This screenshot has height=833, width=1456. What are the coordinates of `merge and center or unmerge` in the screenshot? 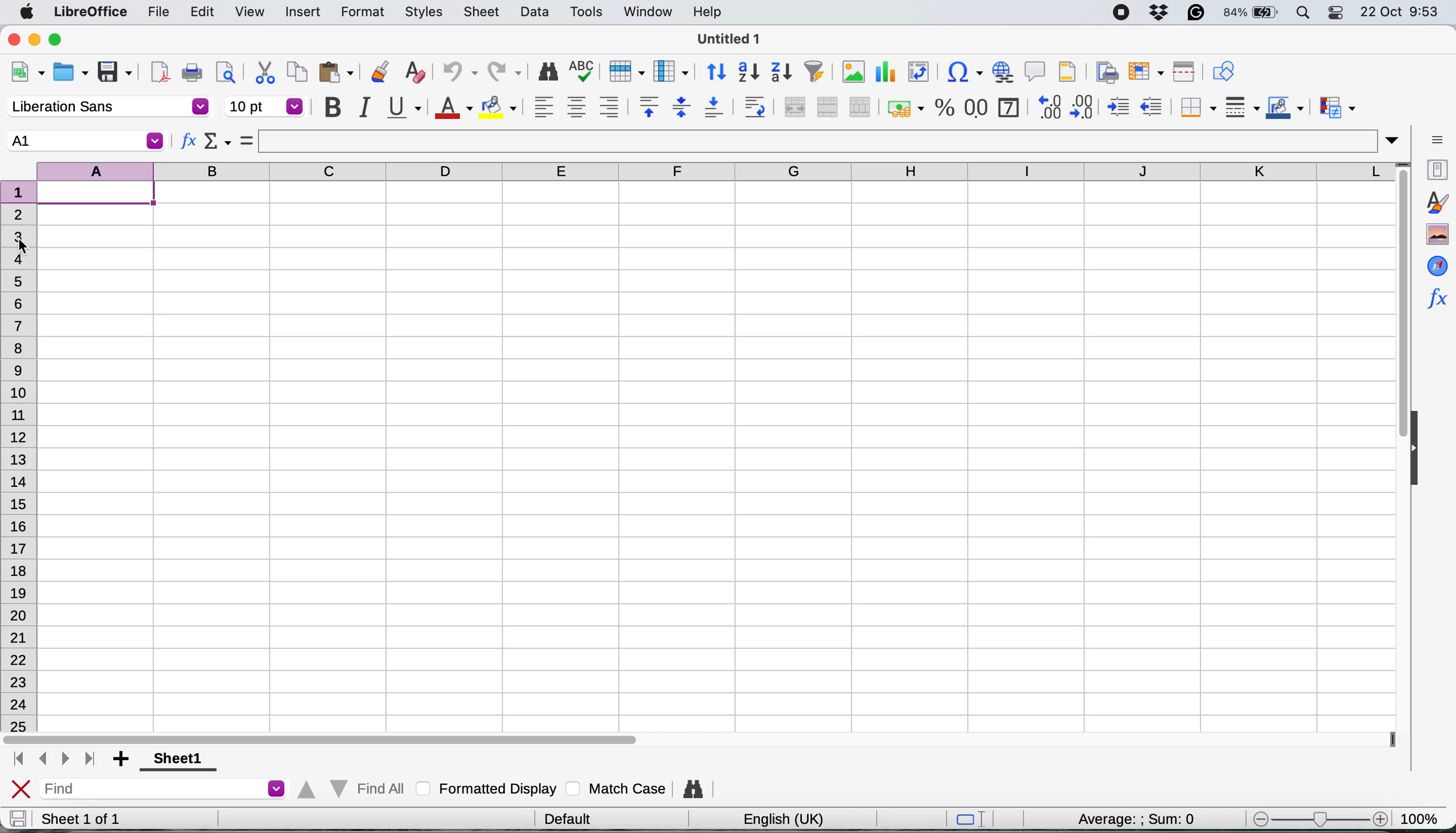 It's located at (793, 105).